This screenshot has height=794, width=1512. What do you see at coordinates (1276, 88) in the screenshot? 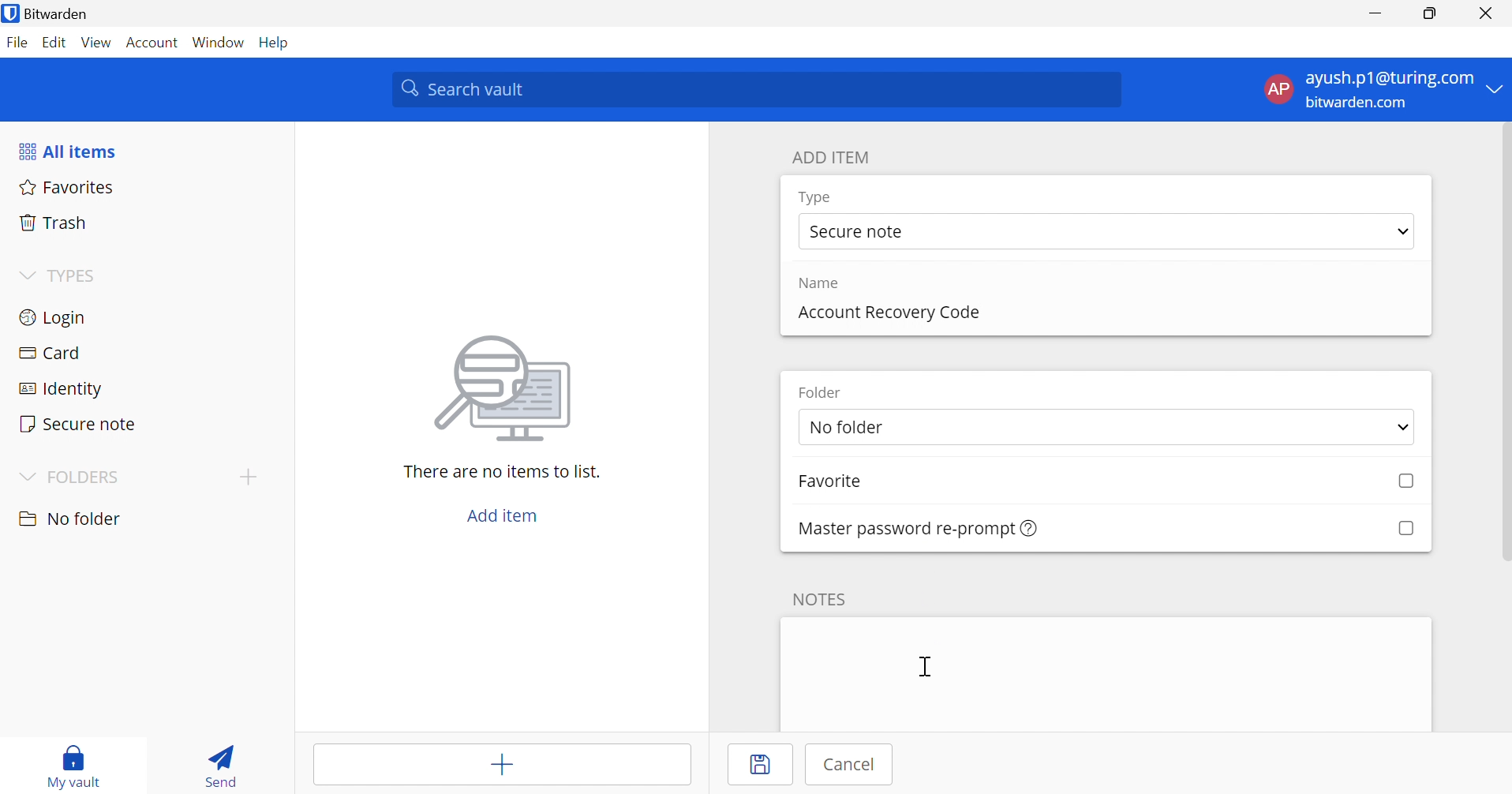
I see `AP` at bounding box center [1276, 88].